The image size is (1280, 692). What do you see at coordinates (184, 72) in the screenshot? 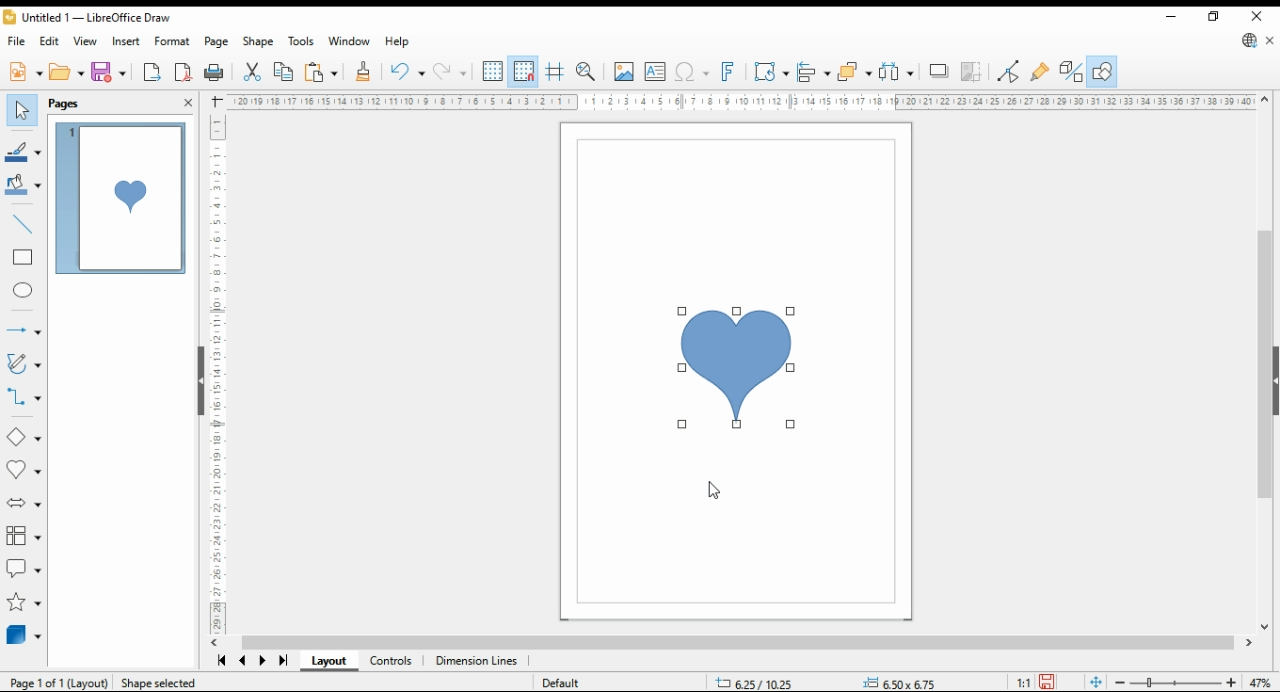
I see `export as pdf` at bounding box center [184, 72].